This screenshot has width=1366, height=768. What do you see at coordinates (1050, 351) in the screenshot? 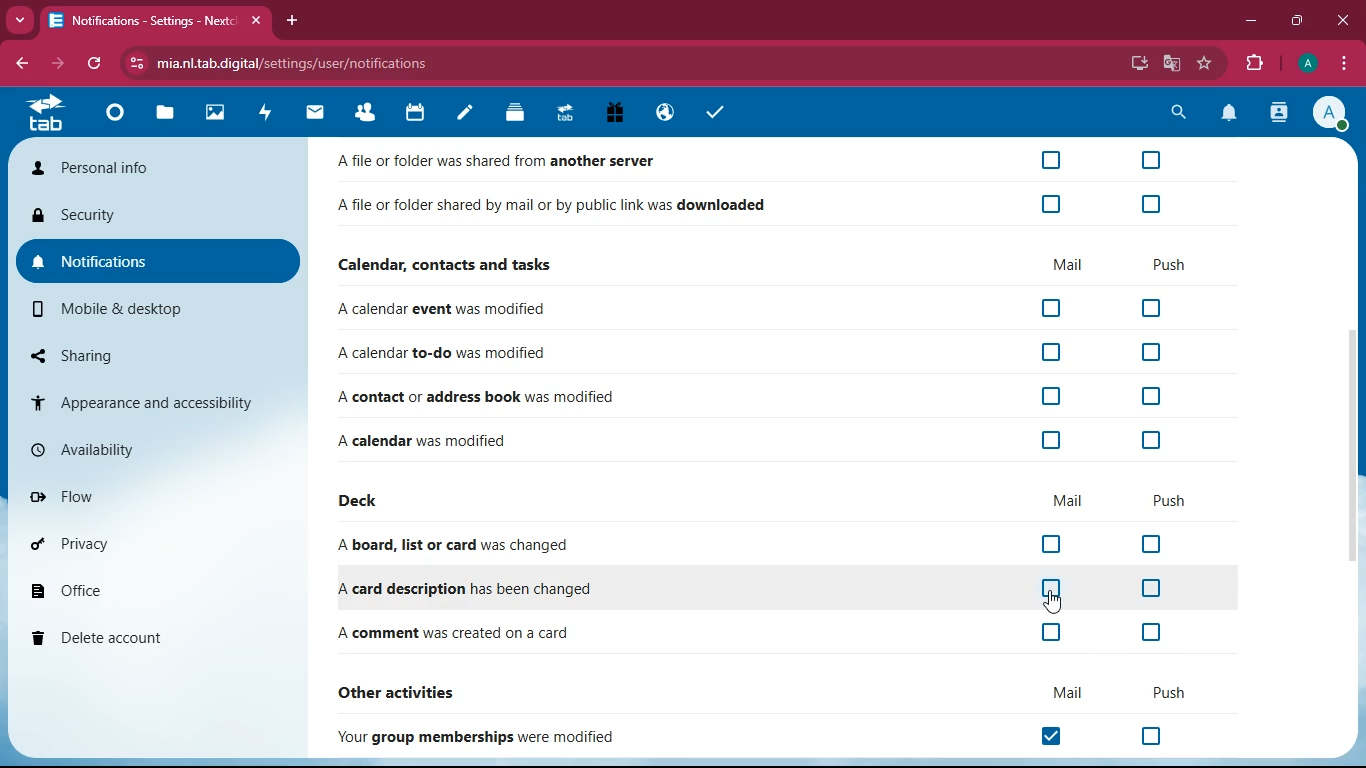
I see `off` at bounding box center [1050, 351].